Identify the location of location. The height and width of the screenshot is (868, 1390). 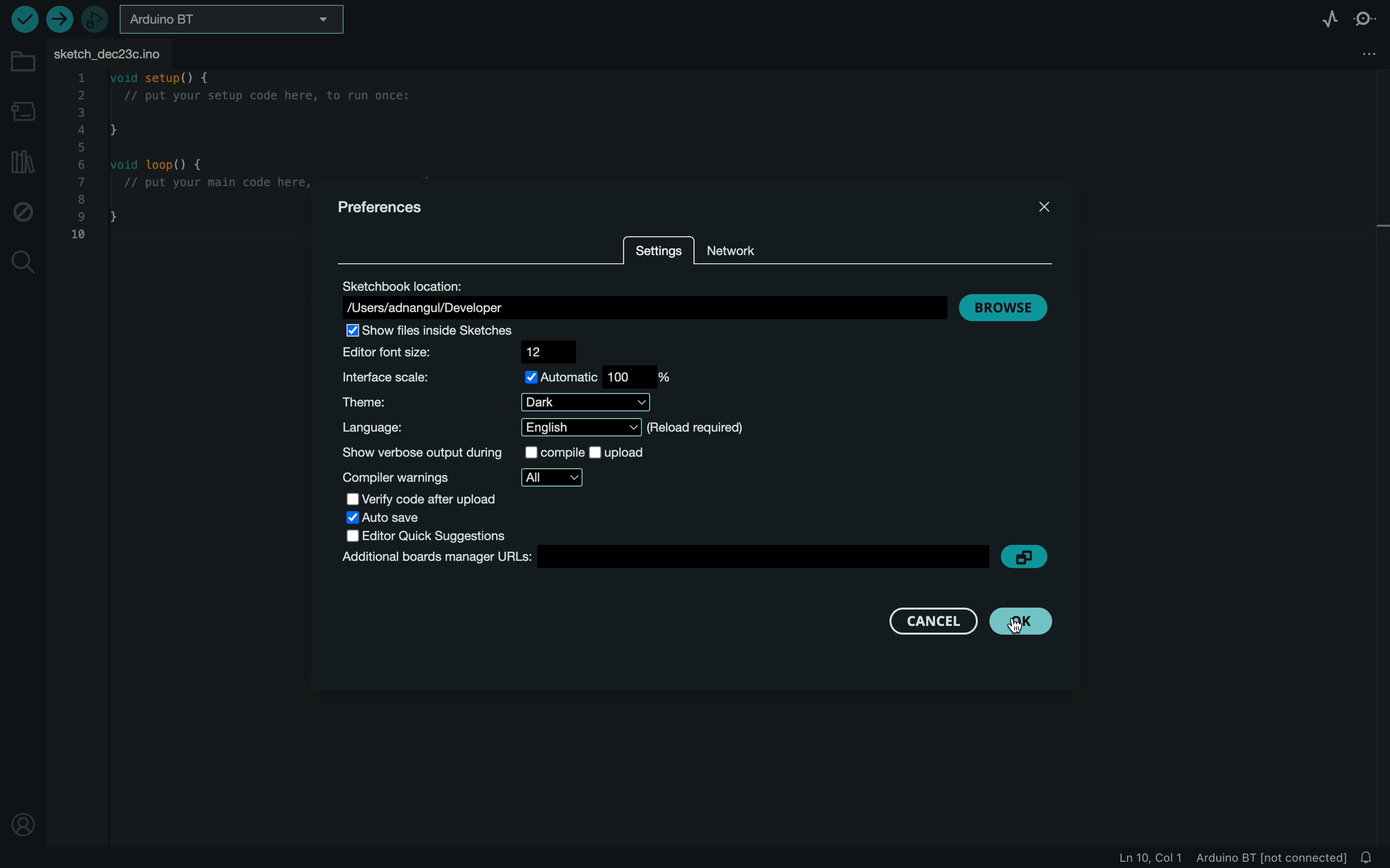
(643, 297).